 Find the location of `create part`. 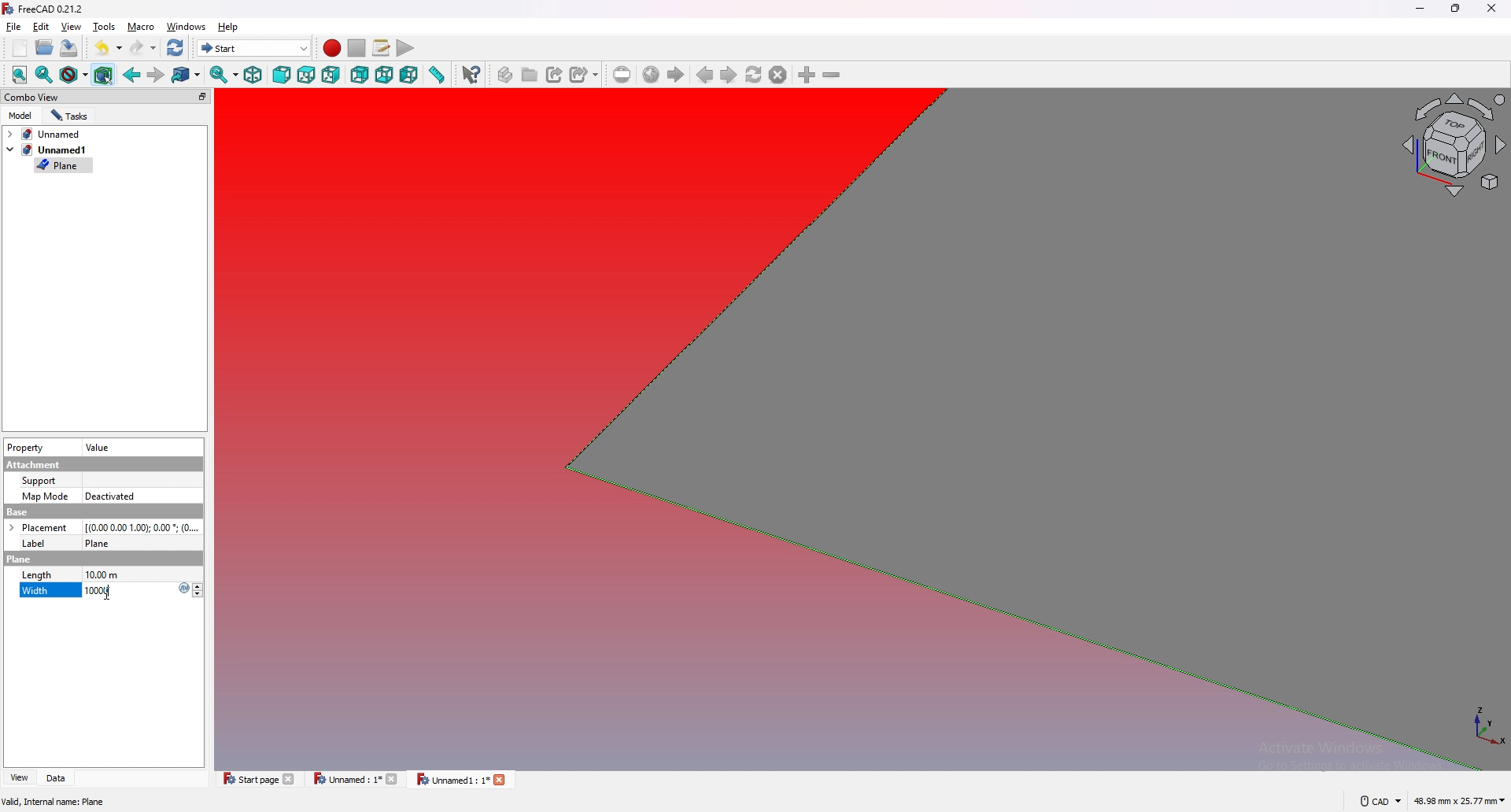

create part is located at coordinates (507, 75).